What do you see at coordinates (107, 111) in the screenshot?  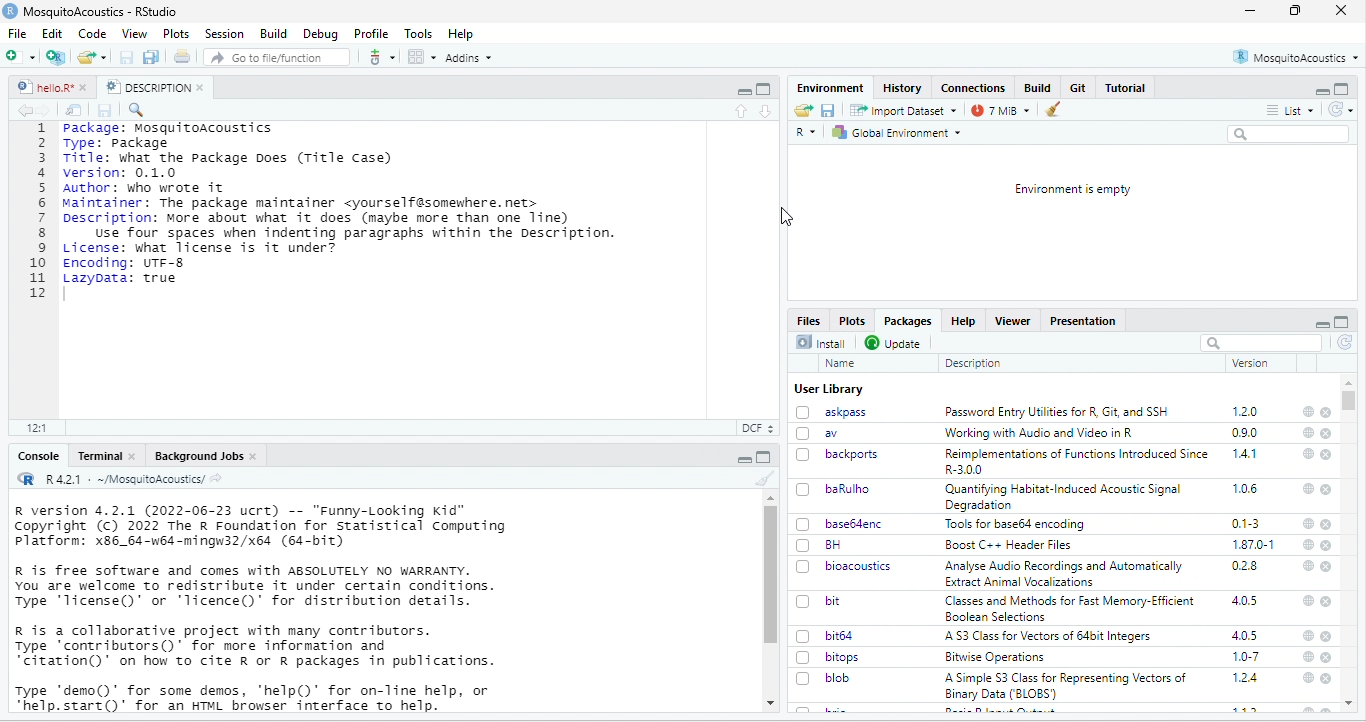 I see `Save` at bounding box center [107, 111].